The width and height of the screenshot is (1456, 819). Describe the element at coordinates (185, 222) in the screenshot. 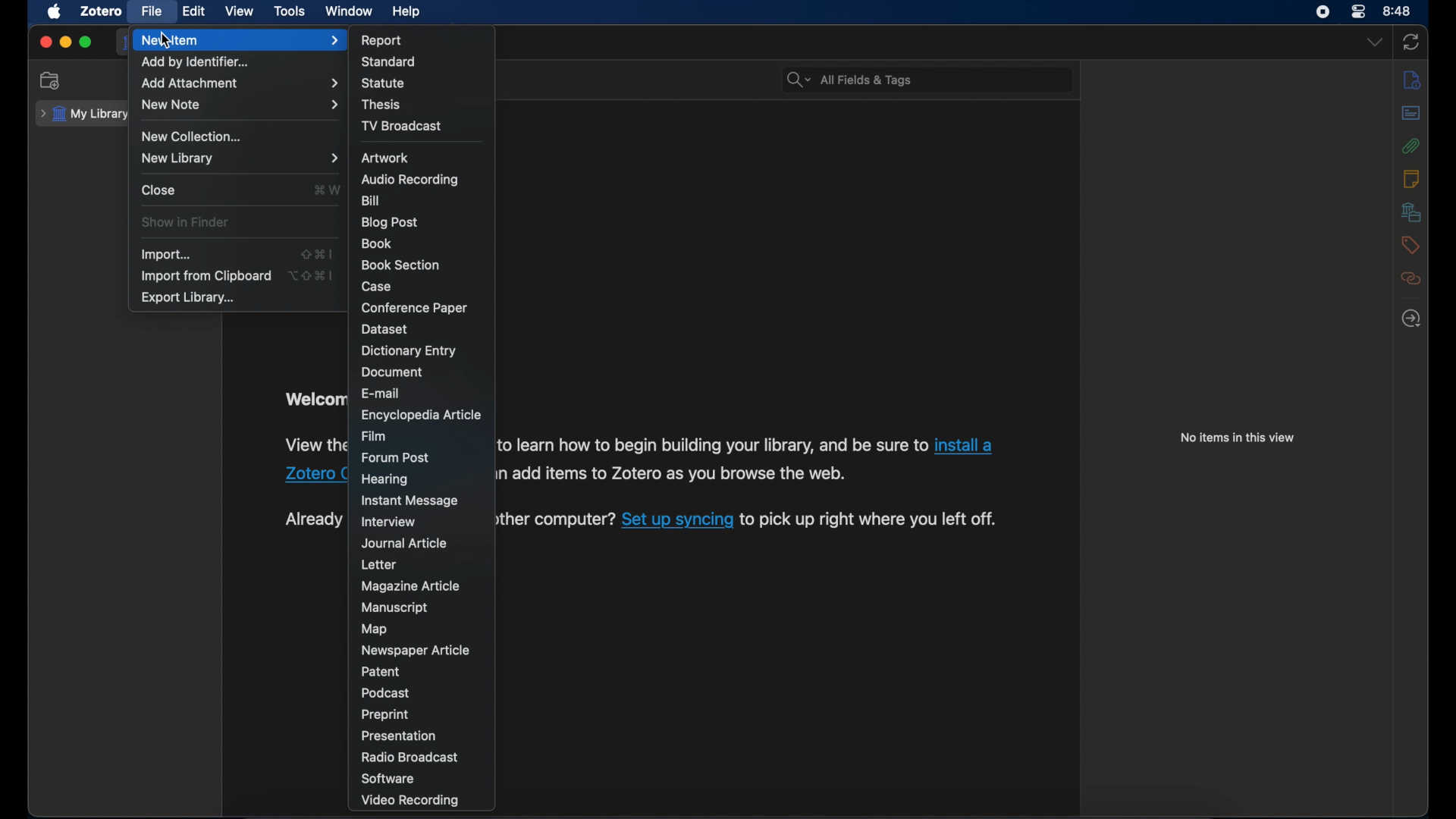

I see `show in finder` at that location.